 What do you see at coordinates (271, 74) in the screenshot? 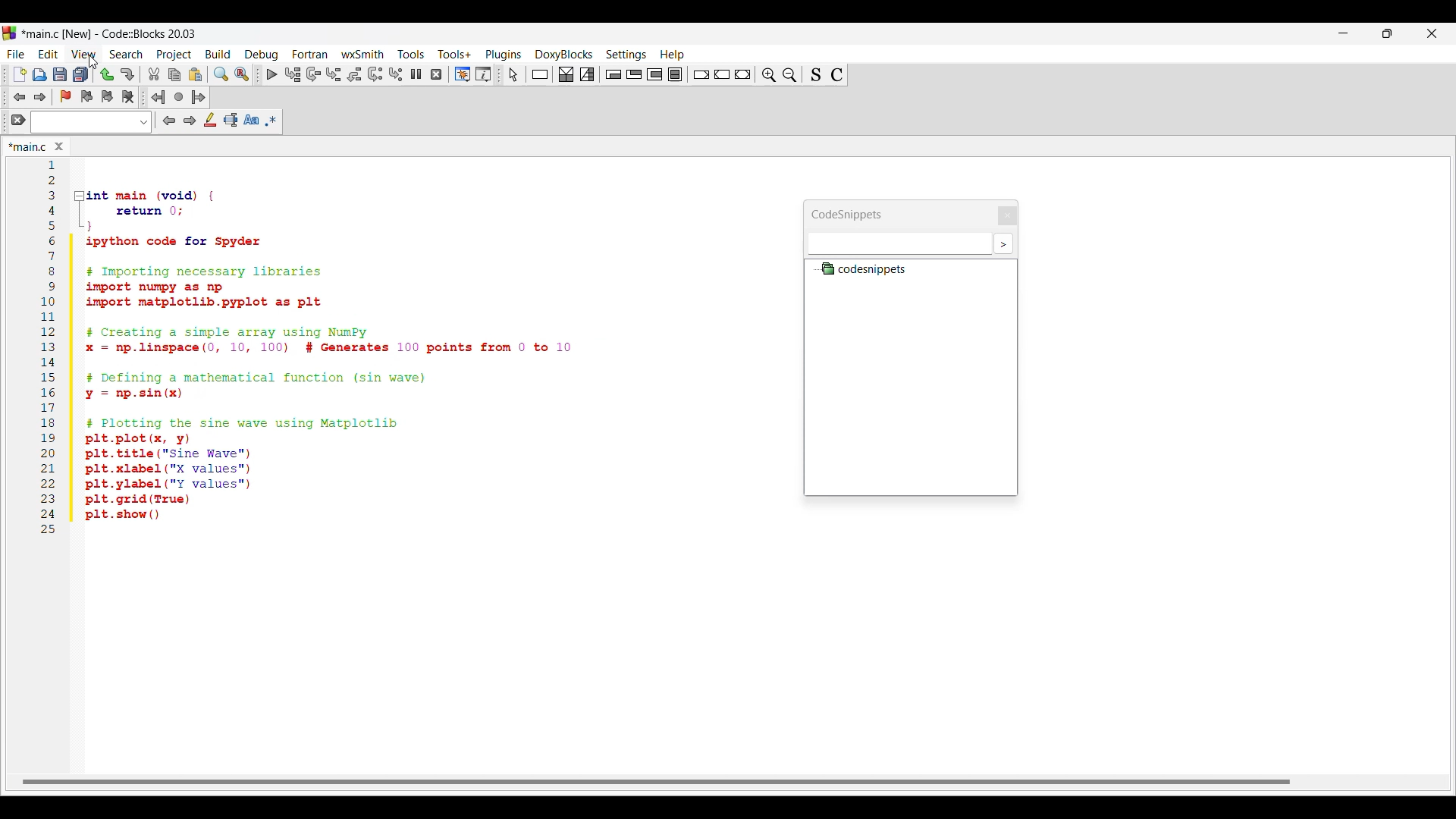
I see `Debug/Continue` at bounding box center [271, 74].